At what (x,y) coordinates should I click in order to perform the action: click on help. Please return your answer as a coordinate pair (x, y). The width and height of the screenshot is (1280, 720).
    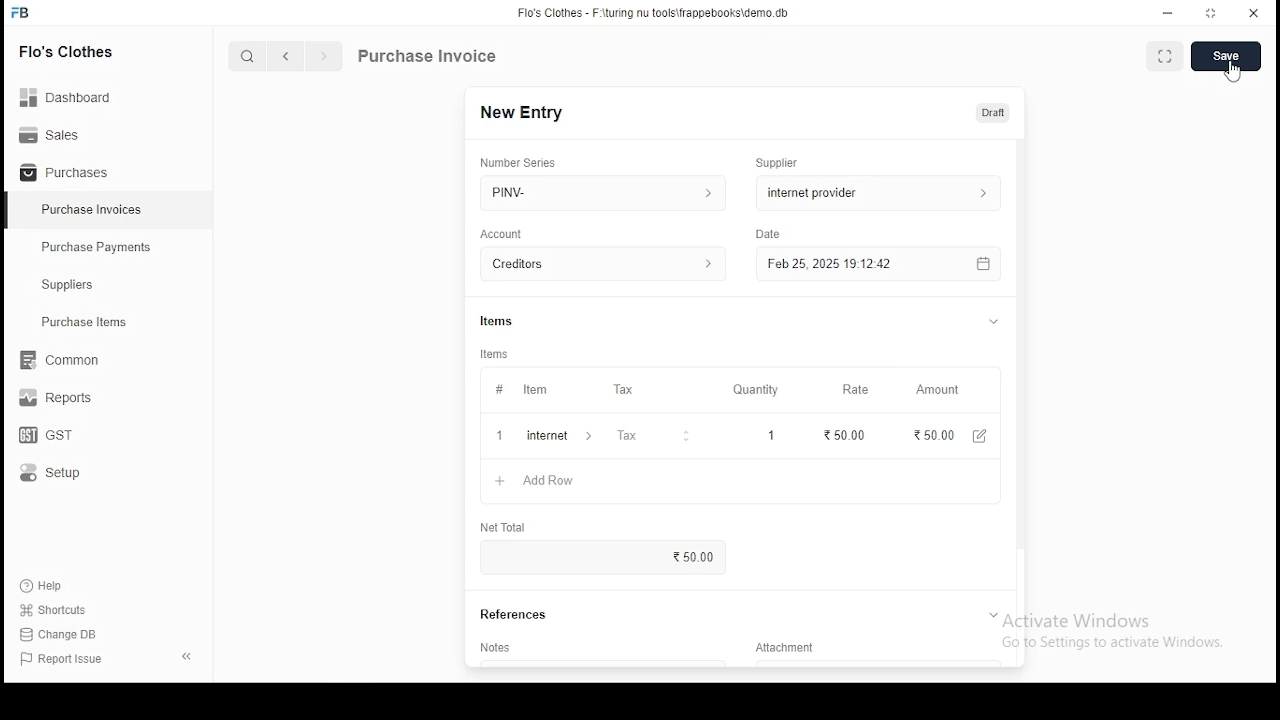
    Looking at the image, I should click on (46, 583).